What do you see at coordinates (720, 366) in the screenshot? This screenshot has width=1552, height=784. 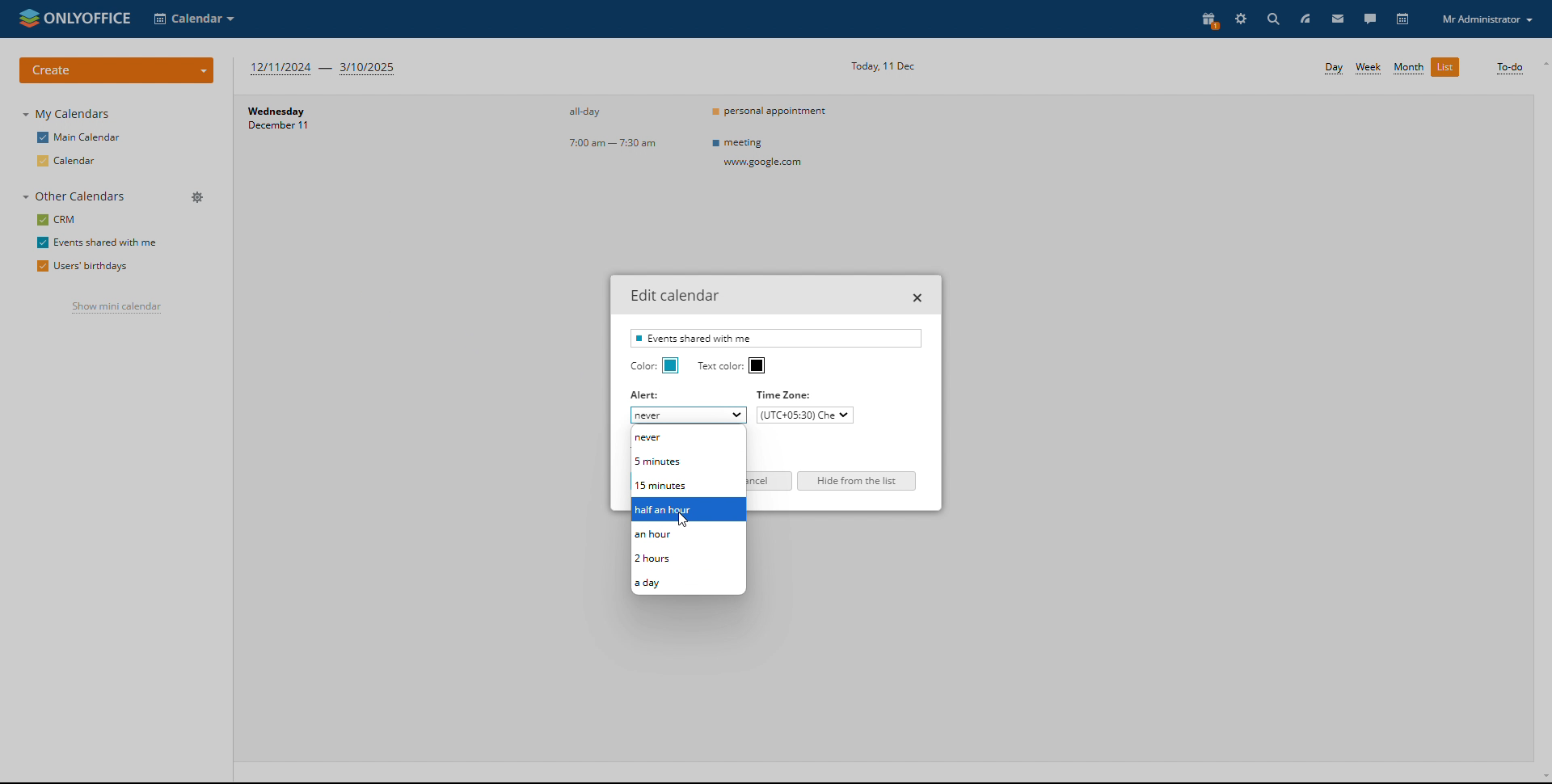 I see `ext color:` at bounding box center [720, 366].